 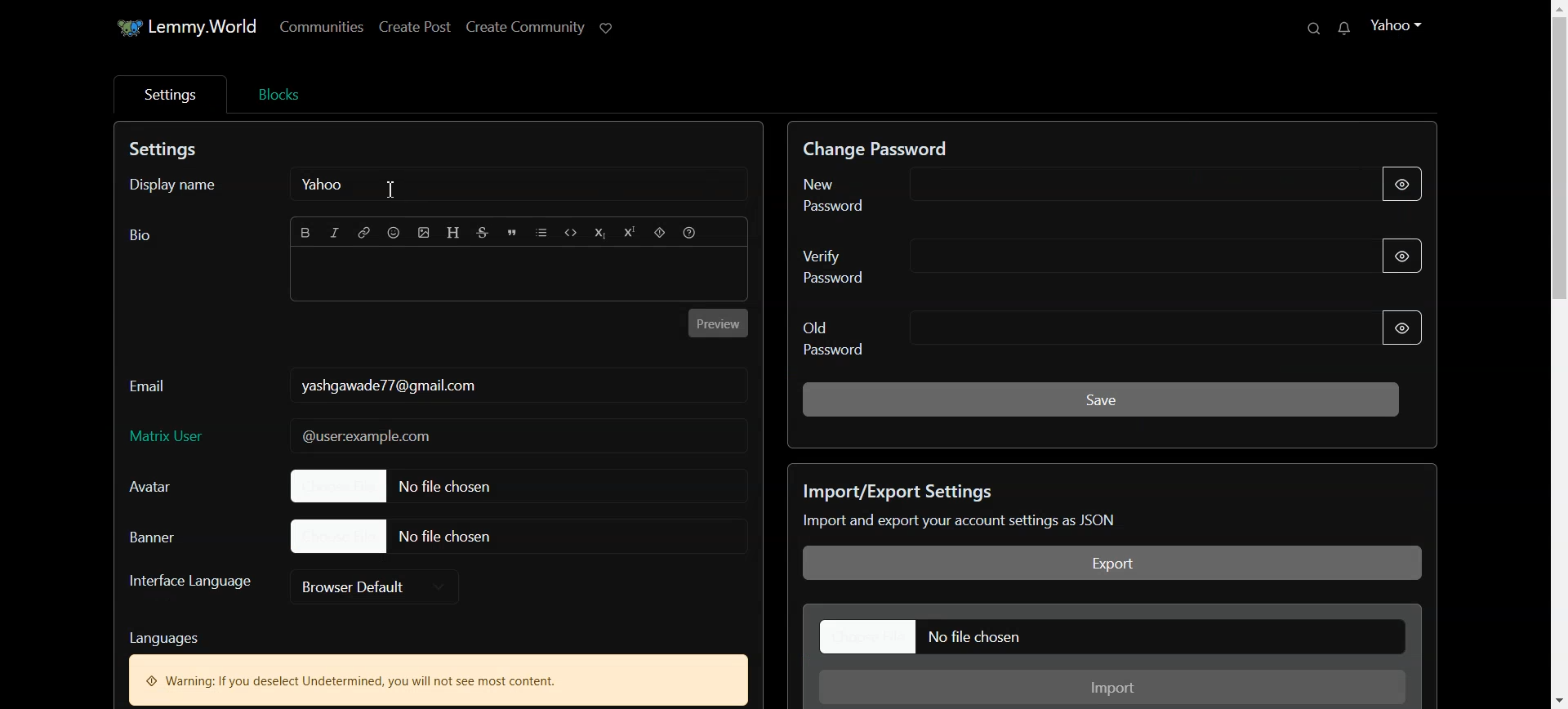 I want to click on Text, so click(x=1089, y=506).